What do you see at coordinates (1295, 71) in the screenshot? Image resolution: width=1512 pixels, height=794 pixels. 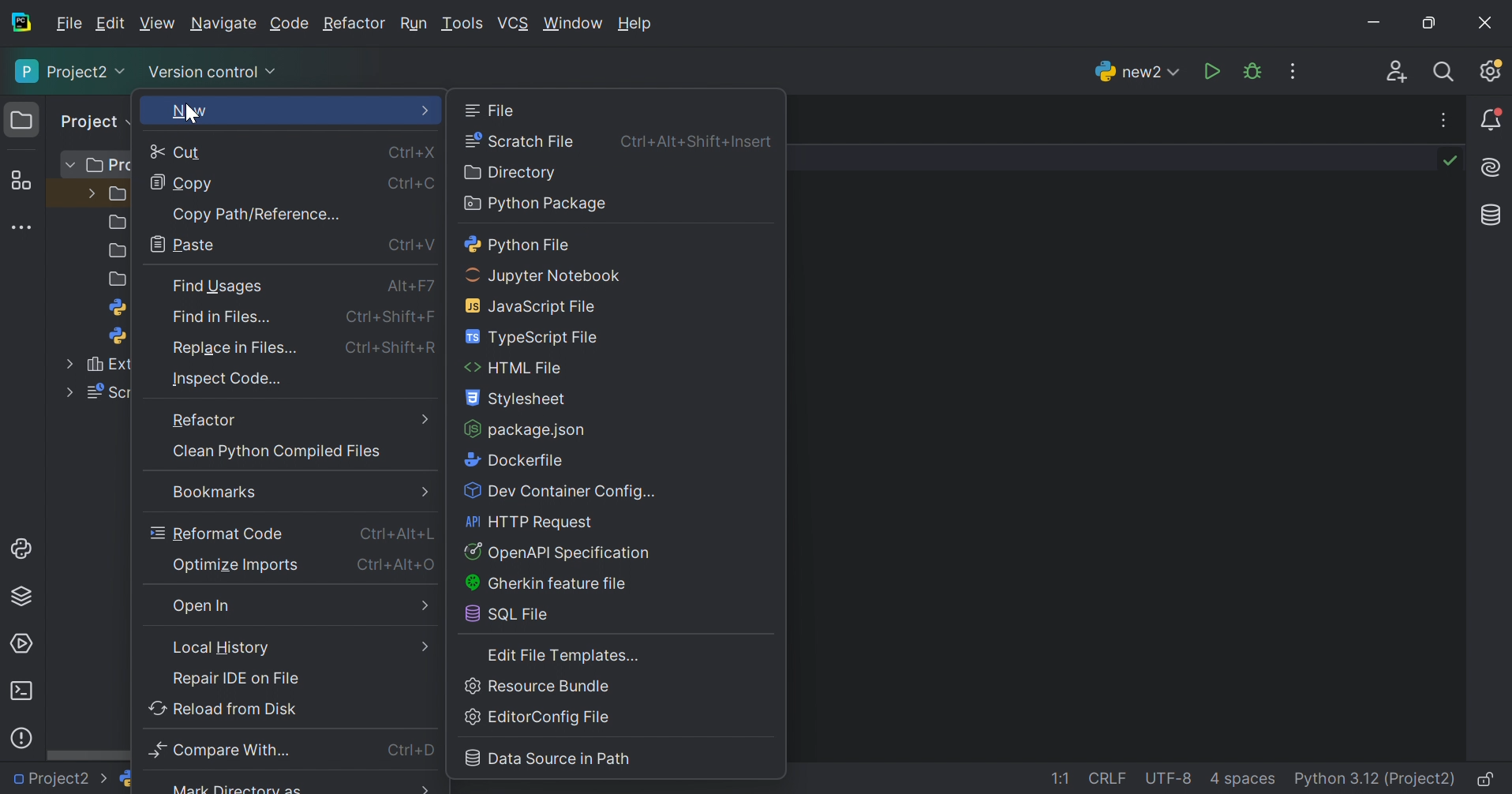 I see `Updates available. IDE and Project Settings.` at bounding box center [1295, 71].